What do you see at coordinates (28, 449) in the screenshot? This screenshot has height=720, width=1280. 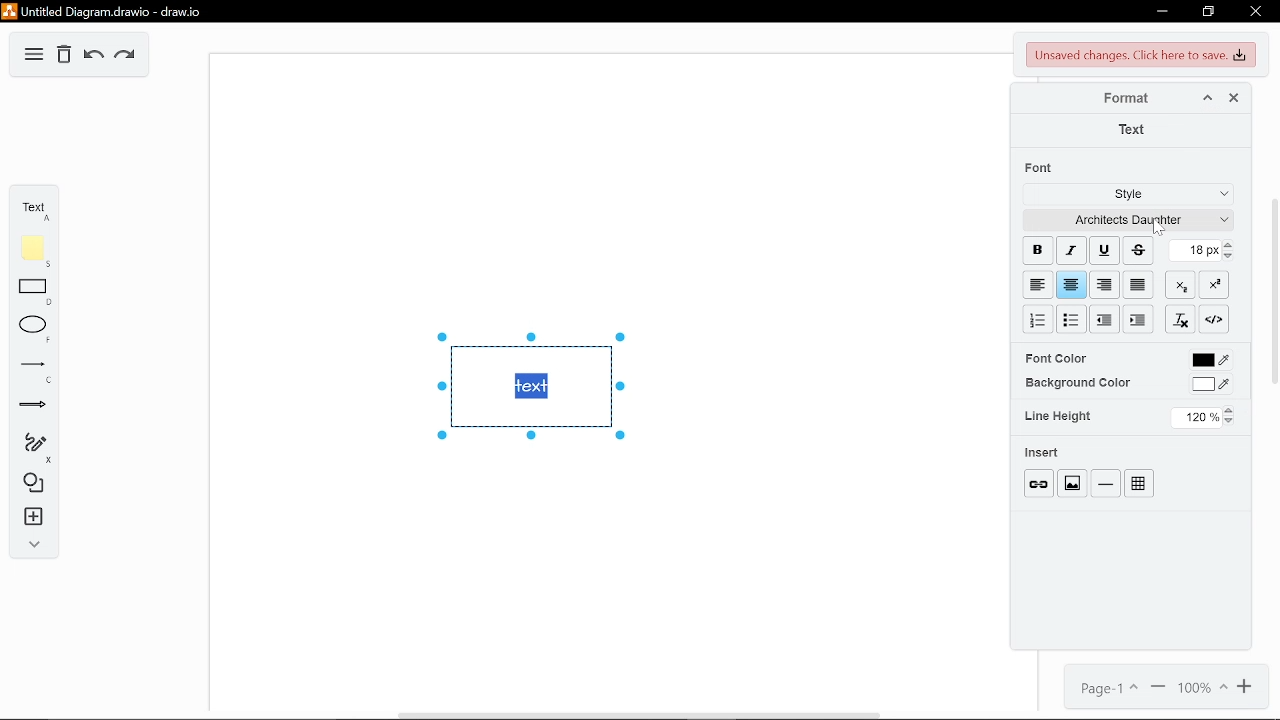 I see `freehand` at bounding box center [28, 449].